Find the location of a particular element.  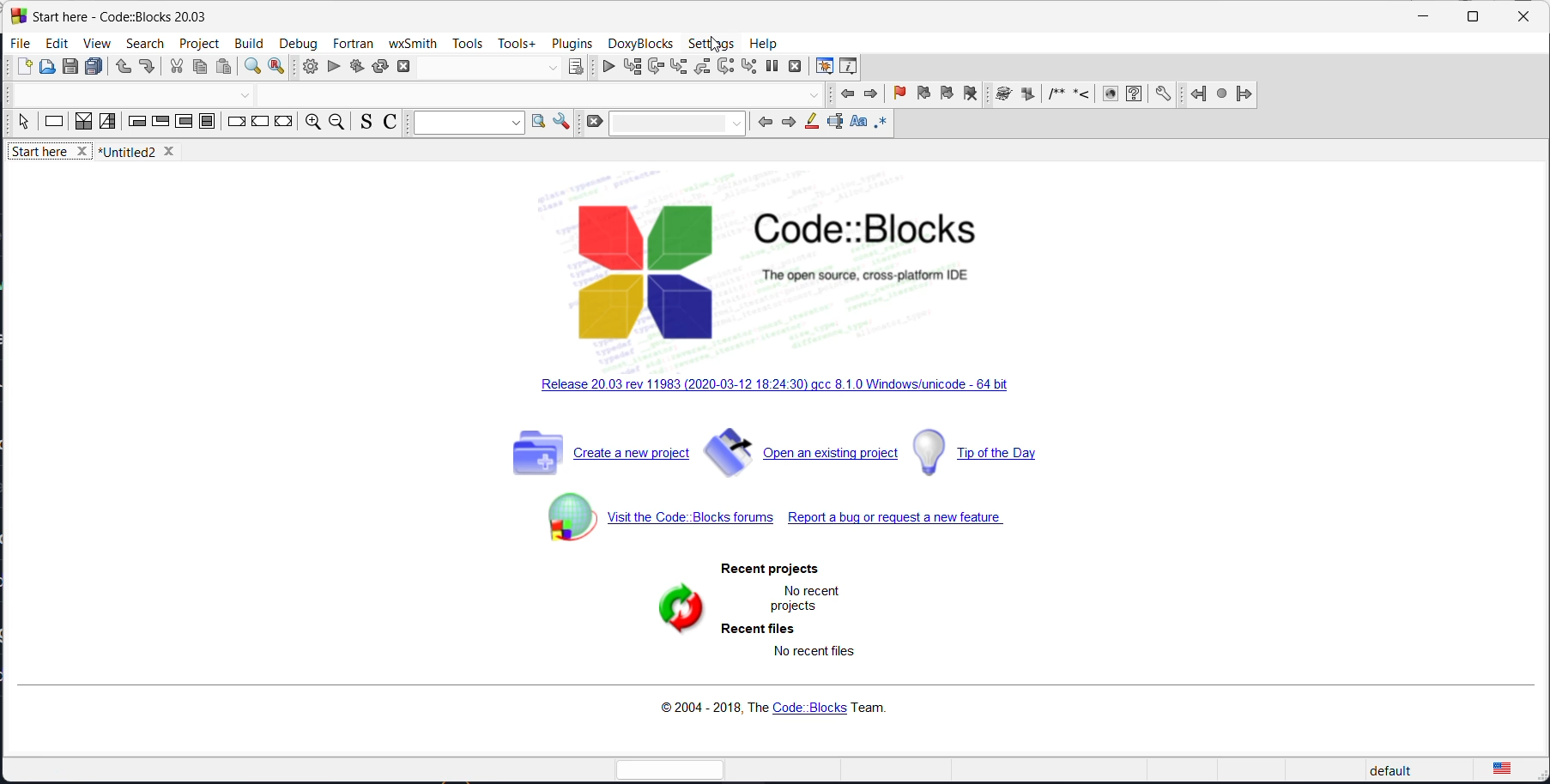

DoxyBlocks is located at coordinates (639, 43).